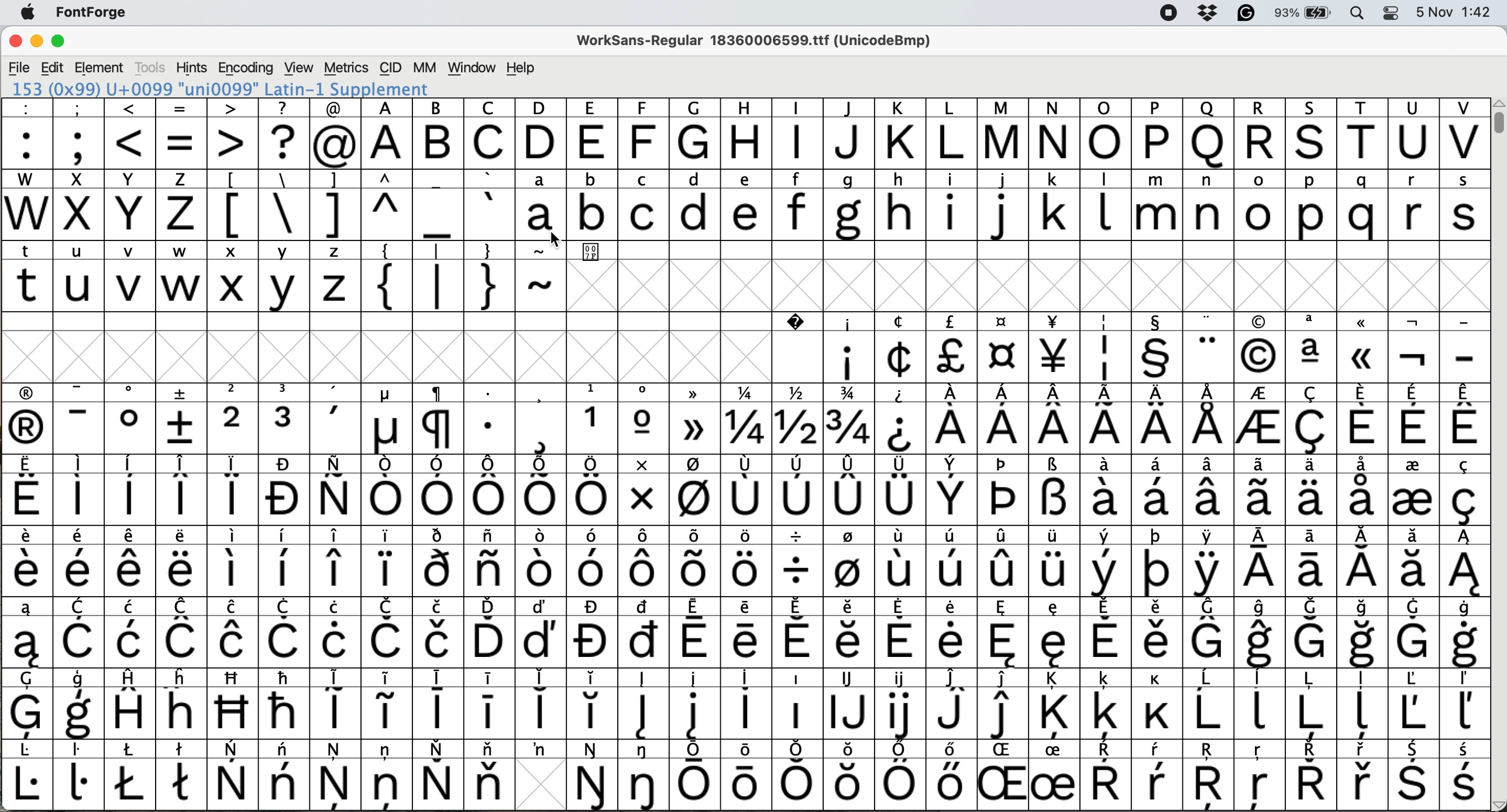 The width and height of the screenshot is (1507, 812). Describe the element at coordinates (439, 276) in the screenshot. I see `|` at that location.